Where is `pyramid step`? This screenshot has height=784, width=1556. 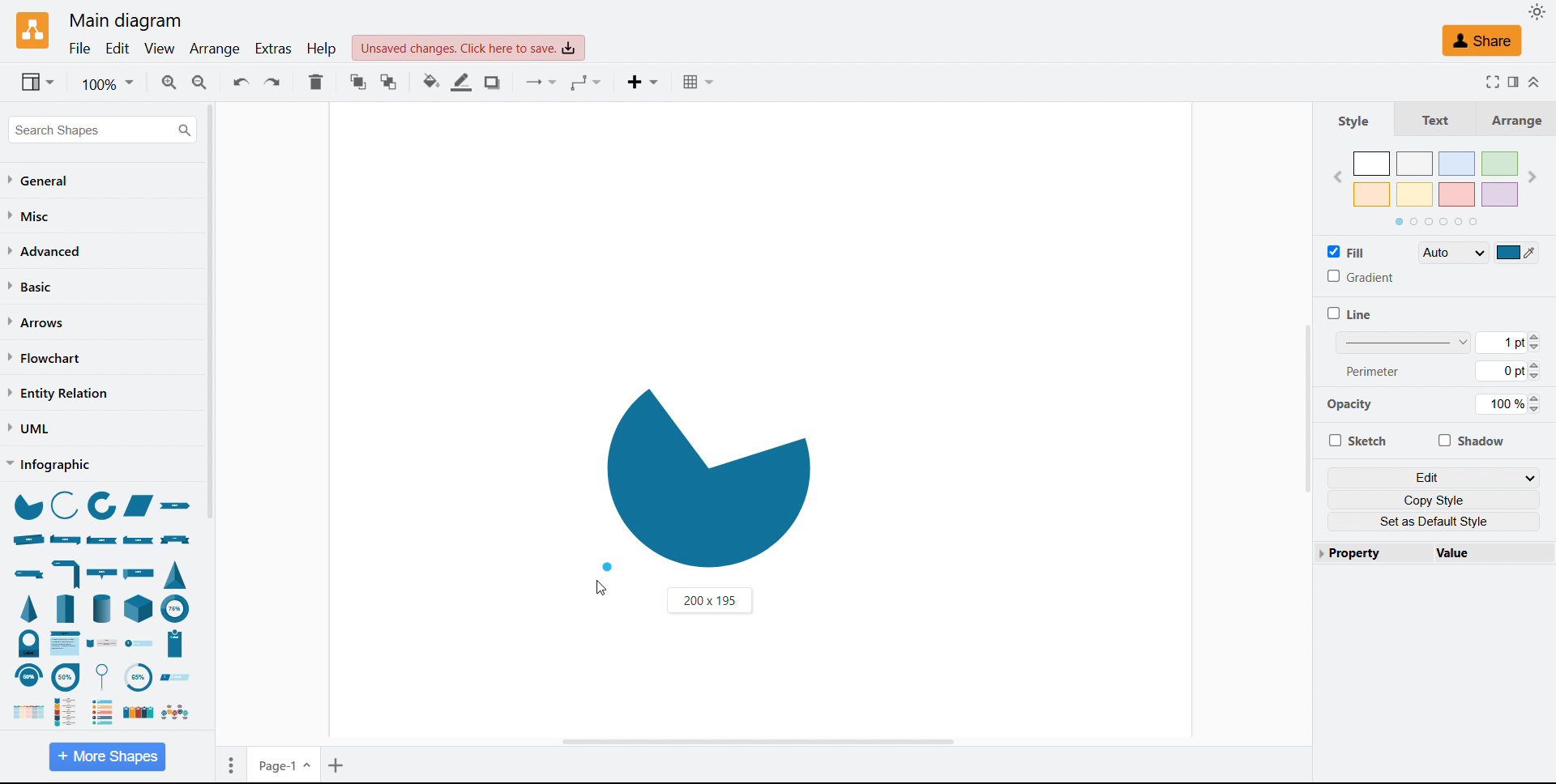 pyramid step is located at coordinates (67, 607).